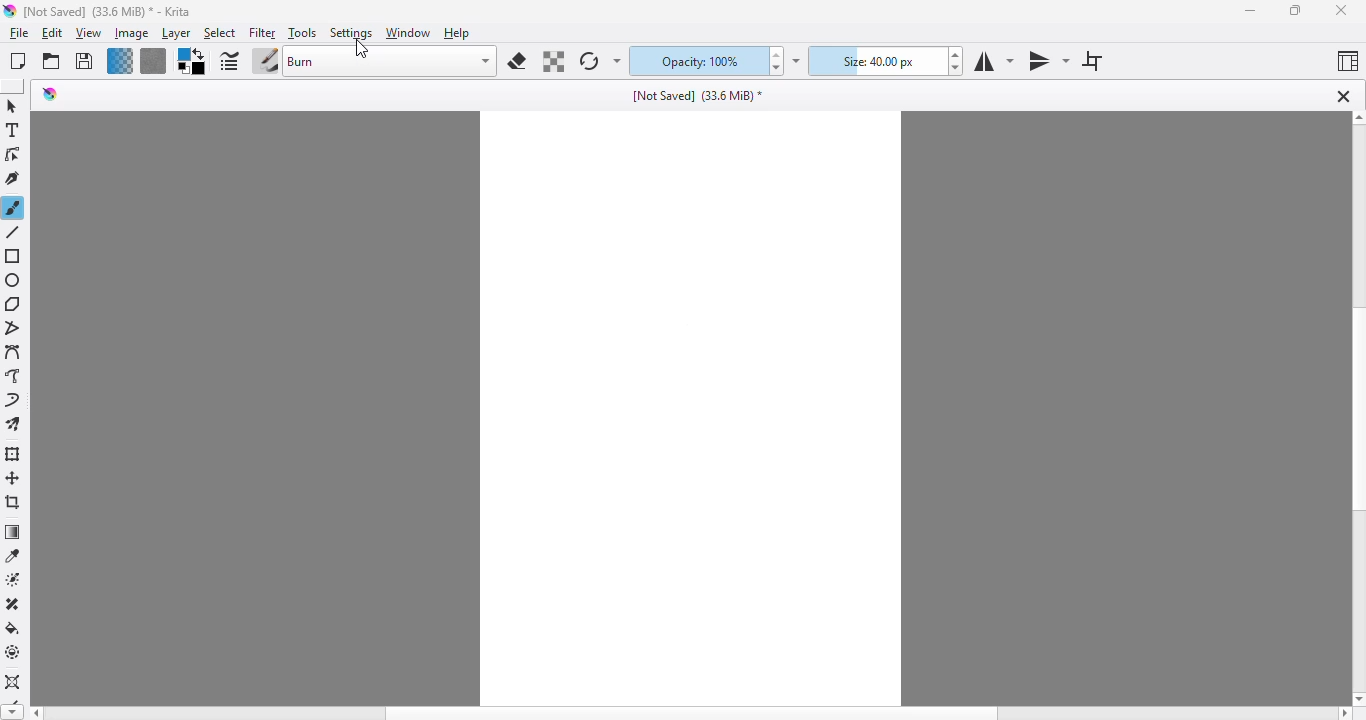 The width and height of the screenshot is (1366, 720). Describe the element at coordinates (13, 280) in the screenshot. I see `ellipse tool` at that location.